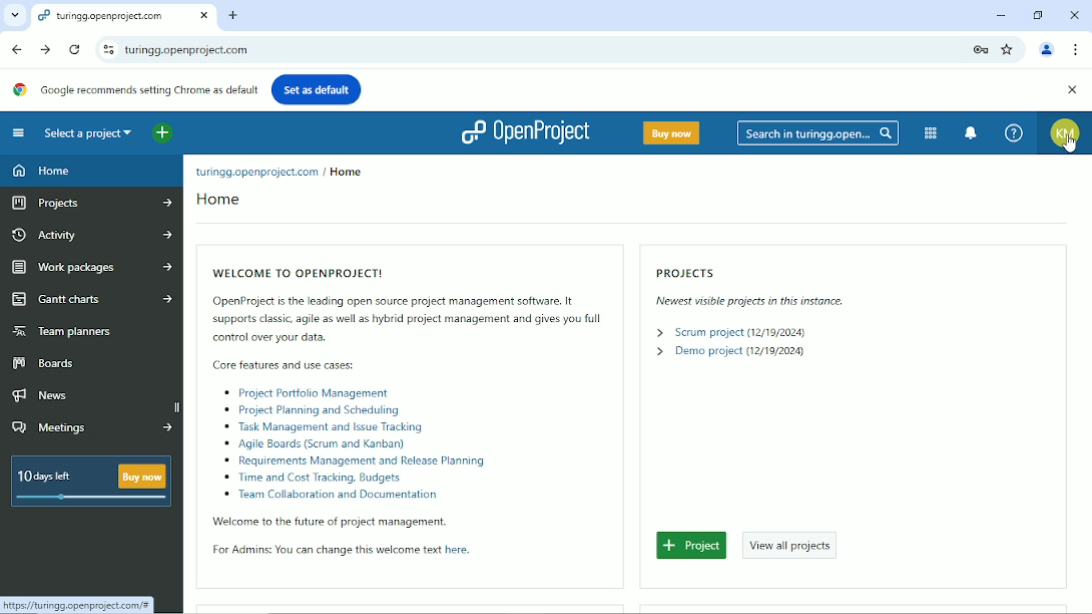 Image resolution: width=1092 pixels, height=614 pixels. What do you see at coordinates (93, 266) in the screenshot?
I see `Work packages` at bounding box center [93, 266].